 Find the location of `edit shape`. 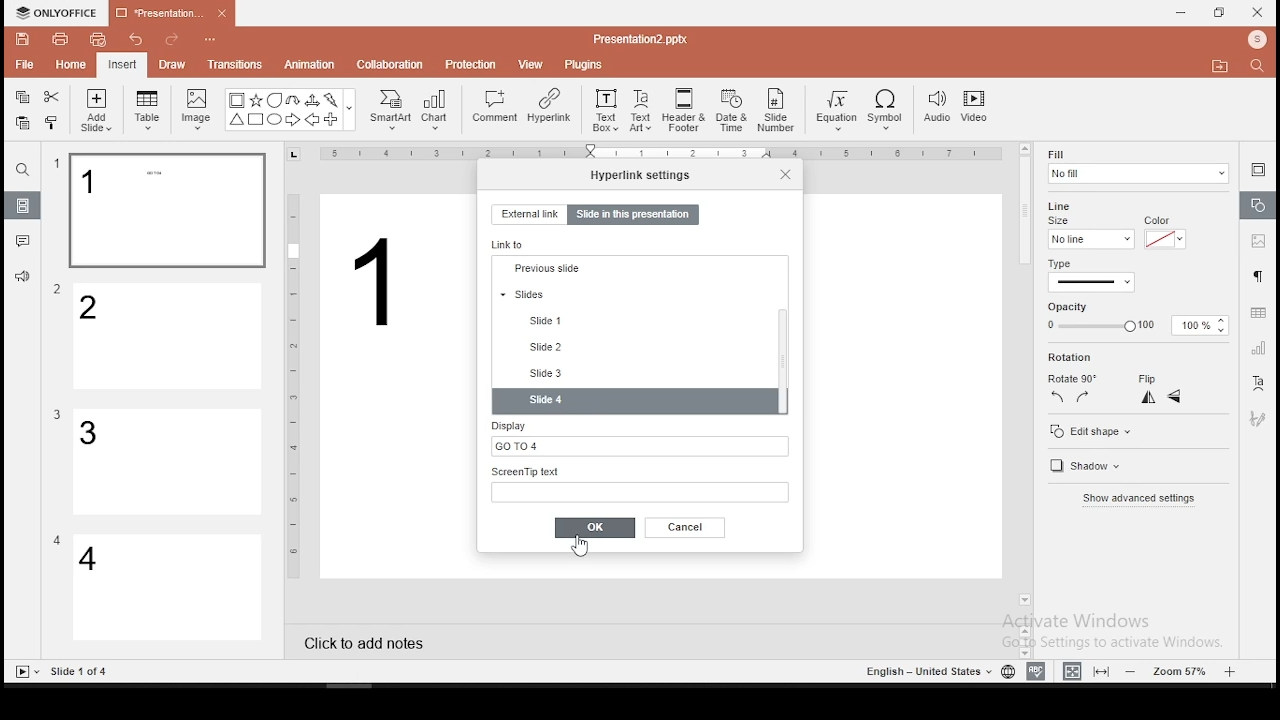

edit shape is located at coordinates (1089, 431).